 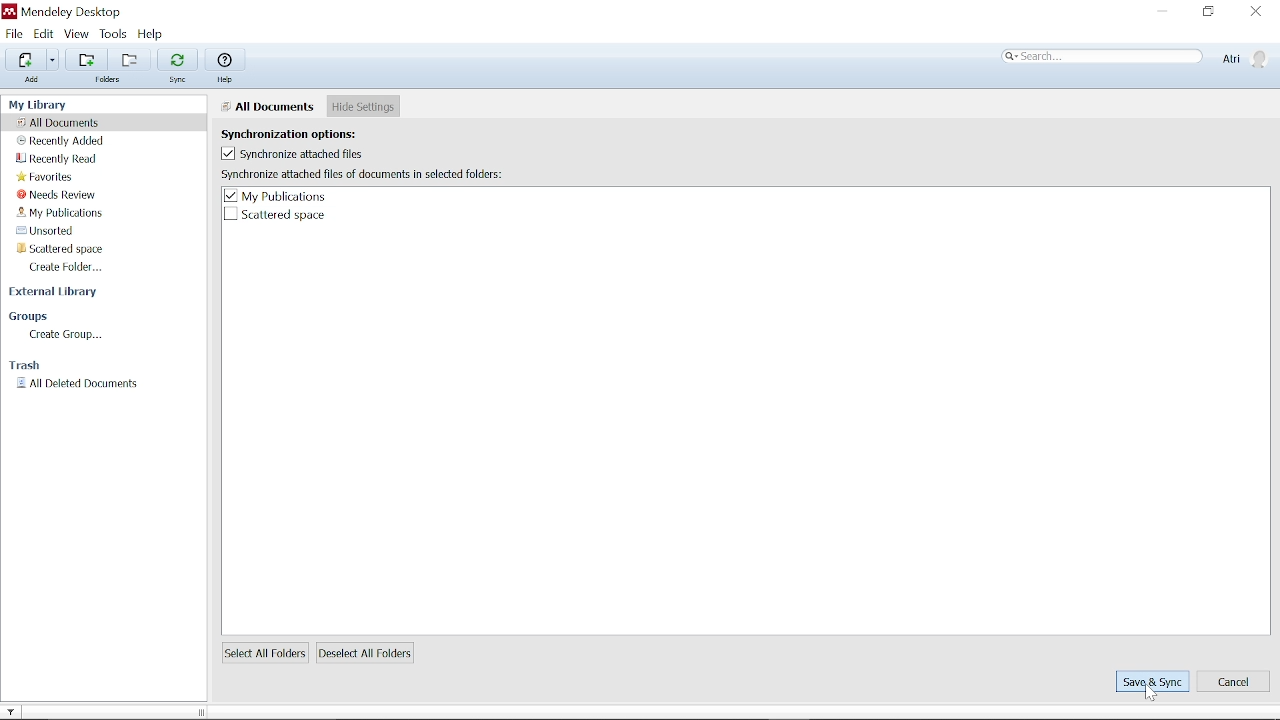 I want to click on ‘synchronize attached files of documents in selected folders:, so click(x=363, y=174).